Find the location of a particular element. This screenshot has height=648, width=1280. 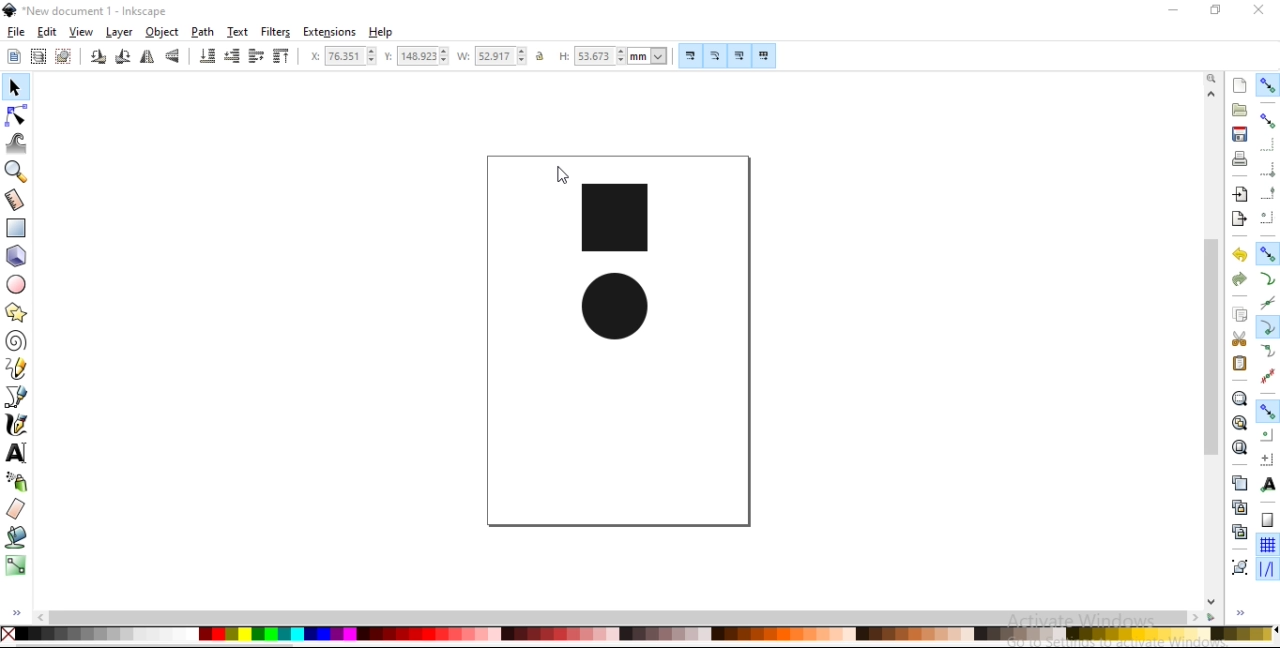

create stars and polygons is located at coordinates (18, 312).